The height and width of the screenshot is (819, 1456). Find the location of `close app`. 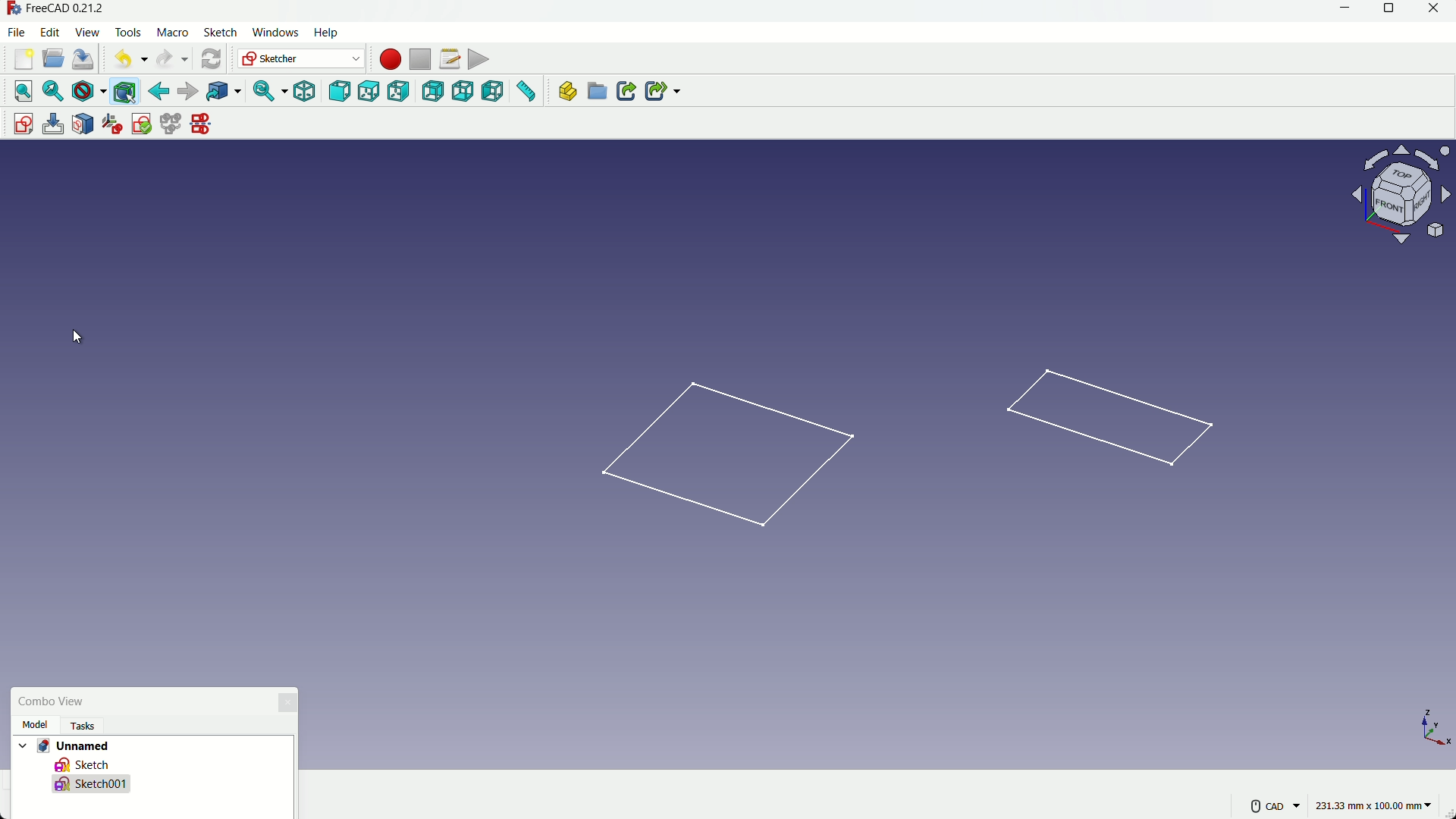

close app is located at coordinates (1439, 11).